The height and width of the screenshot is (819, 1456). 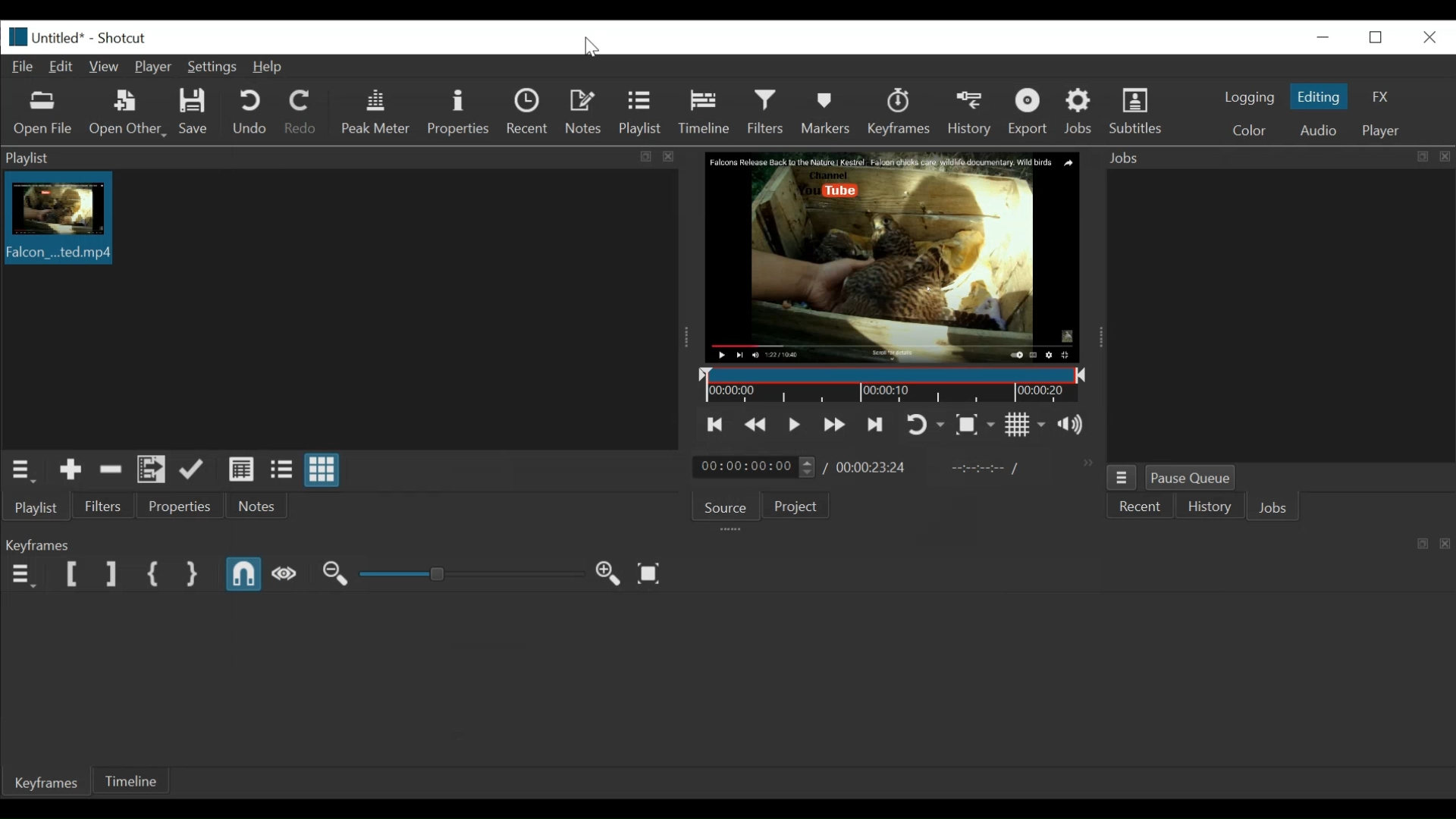 What do you see at coordinates (893, 259) in the screenshot?
I see `Media Viewer` at bounding box center [893, 259].